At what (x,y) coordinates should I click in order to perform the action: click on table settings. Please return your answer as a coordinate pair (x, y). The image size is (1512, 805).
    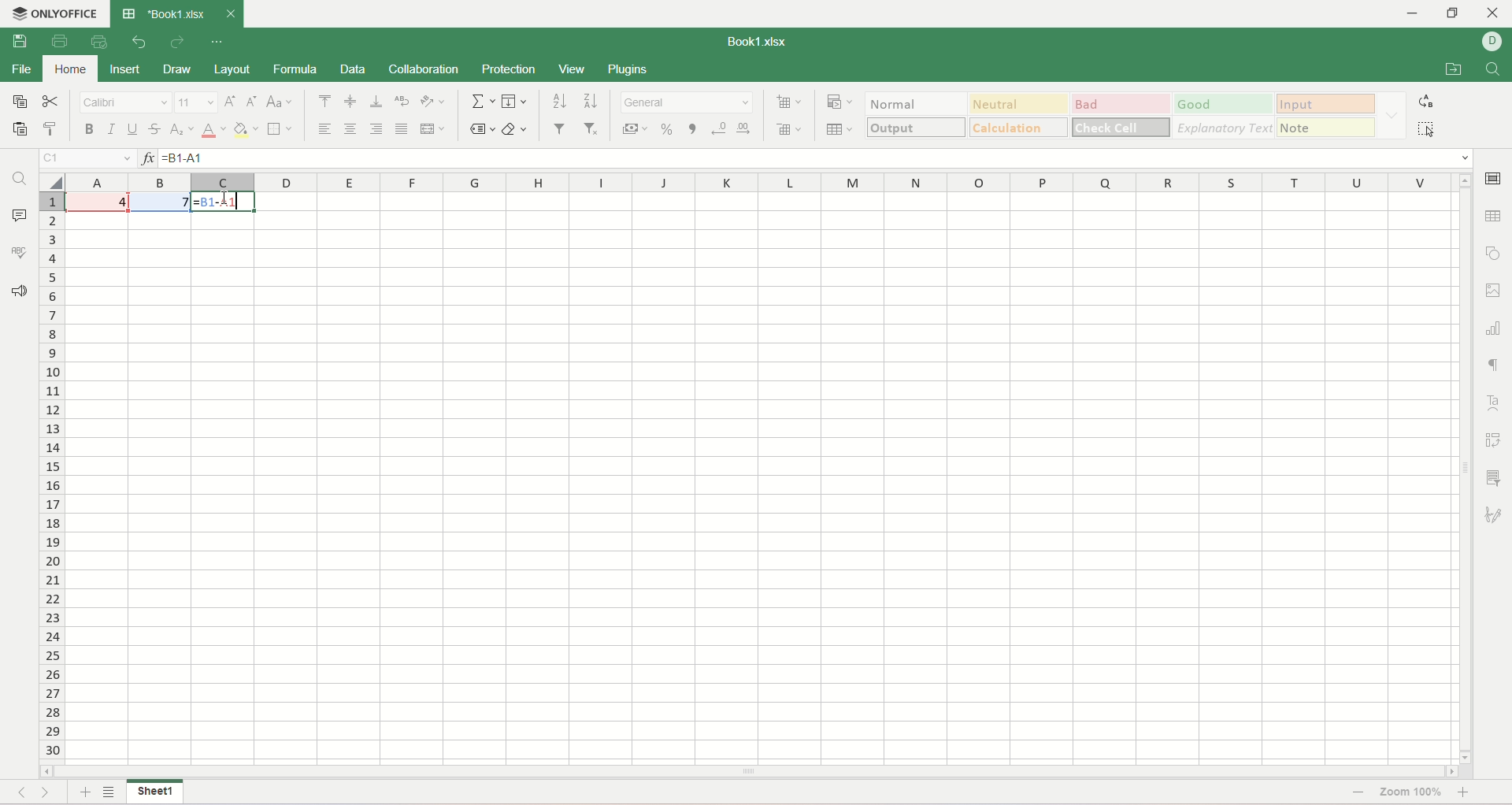
    Looking at the image, I should click on (1493, 221).